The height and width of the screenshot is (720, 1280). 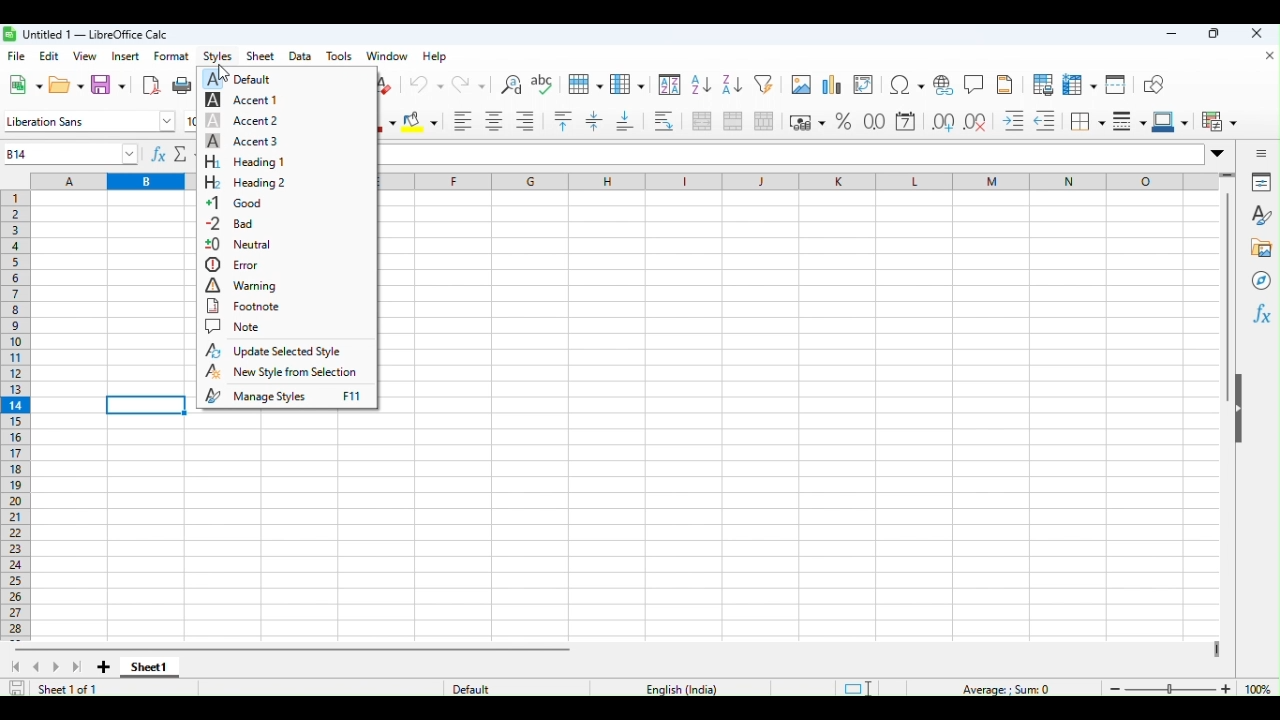 What do you see at coordinates (284, 371) in the screenshot?
I see `New style from selection` at bounding box center [284, 371].